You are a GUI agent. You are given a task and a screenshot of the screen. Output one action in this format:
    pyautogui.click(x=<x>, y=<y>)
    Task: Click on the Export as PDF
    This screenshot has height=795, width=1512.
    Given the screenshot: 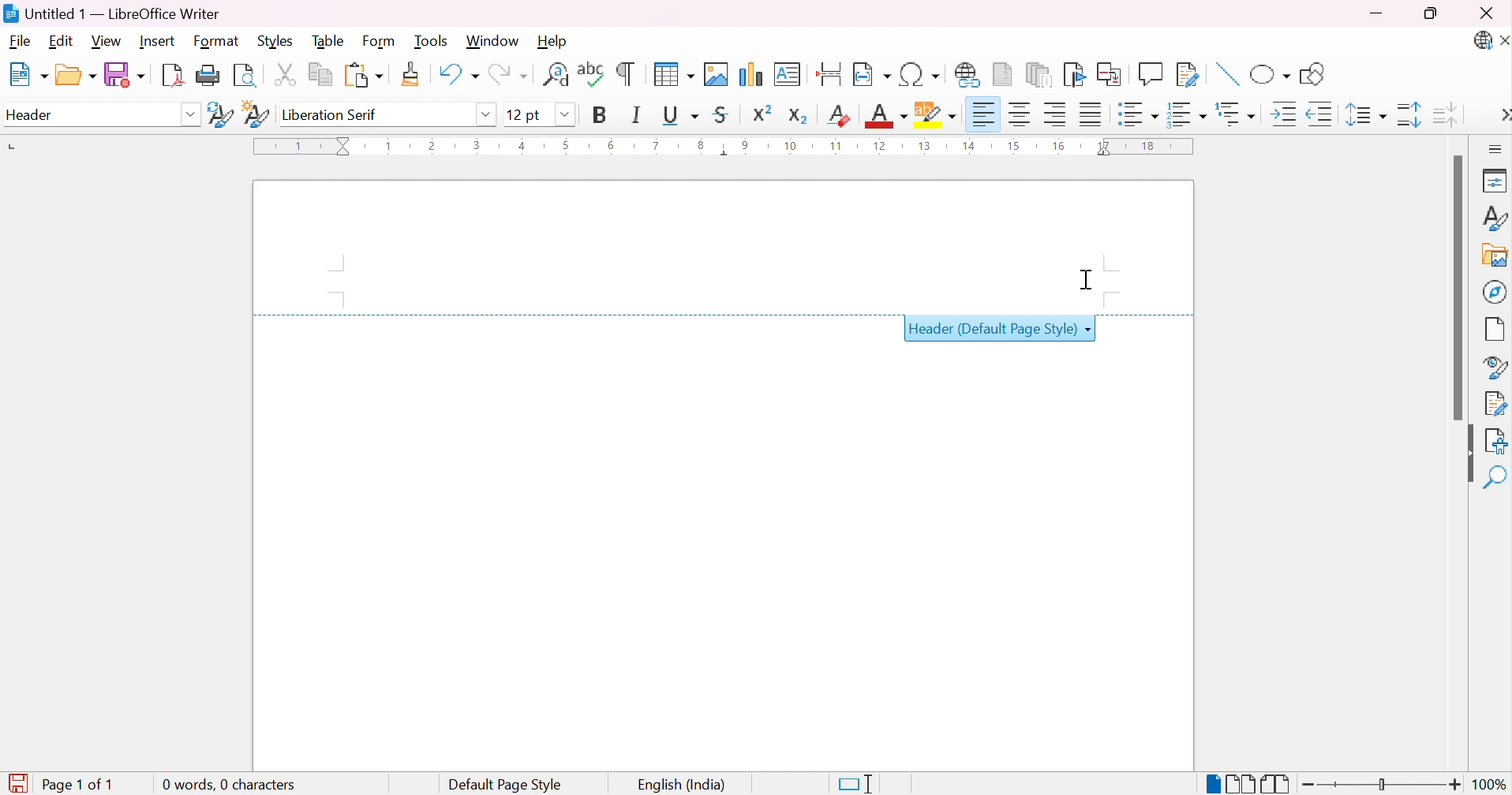 What is the action you would take?
    pyautogui.click(x=175, y=77)
    